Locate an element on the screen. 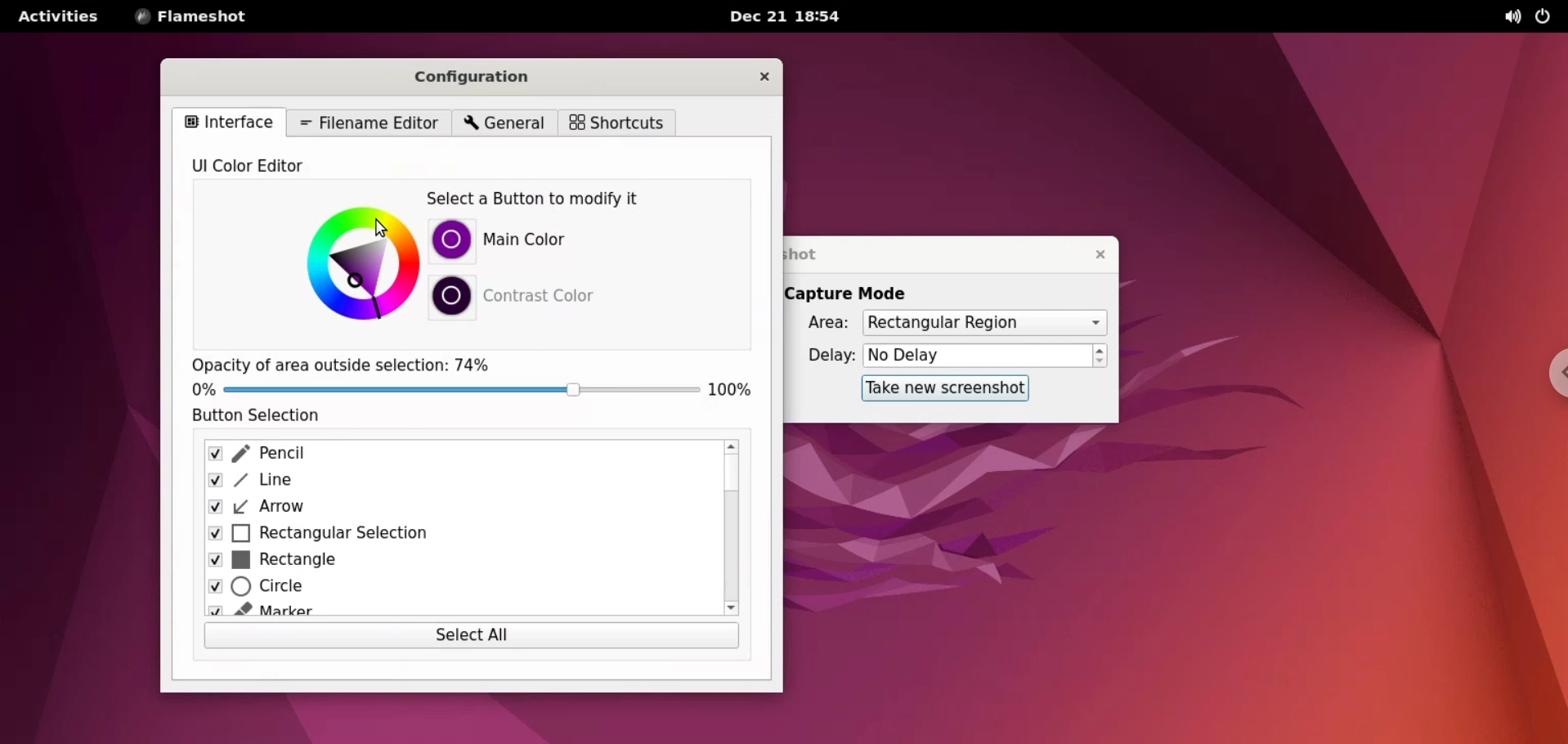 Image resolution: width=1568 pixels, height=744 pixels. select a button to modify it is located at coordinates (543, 199).